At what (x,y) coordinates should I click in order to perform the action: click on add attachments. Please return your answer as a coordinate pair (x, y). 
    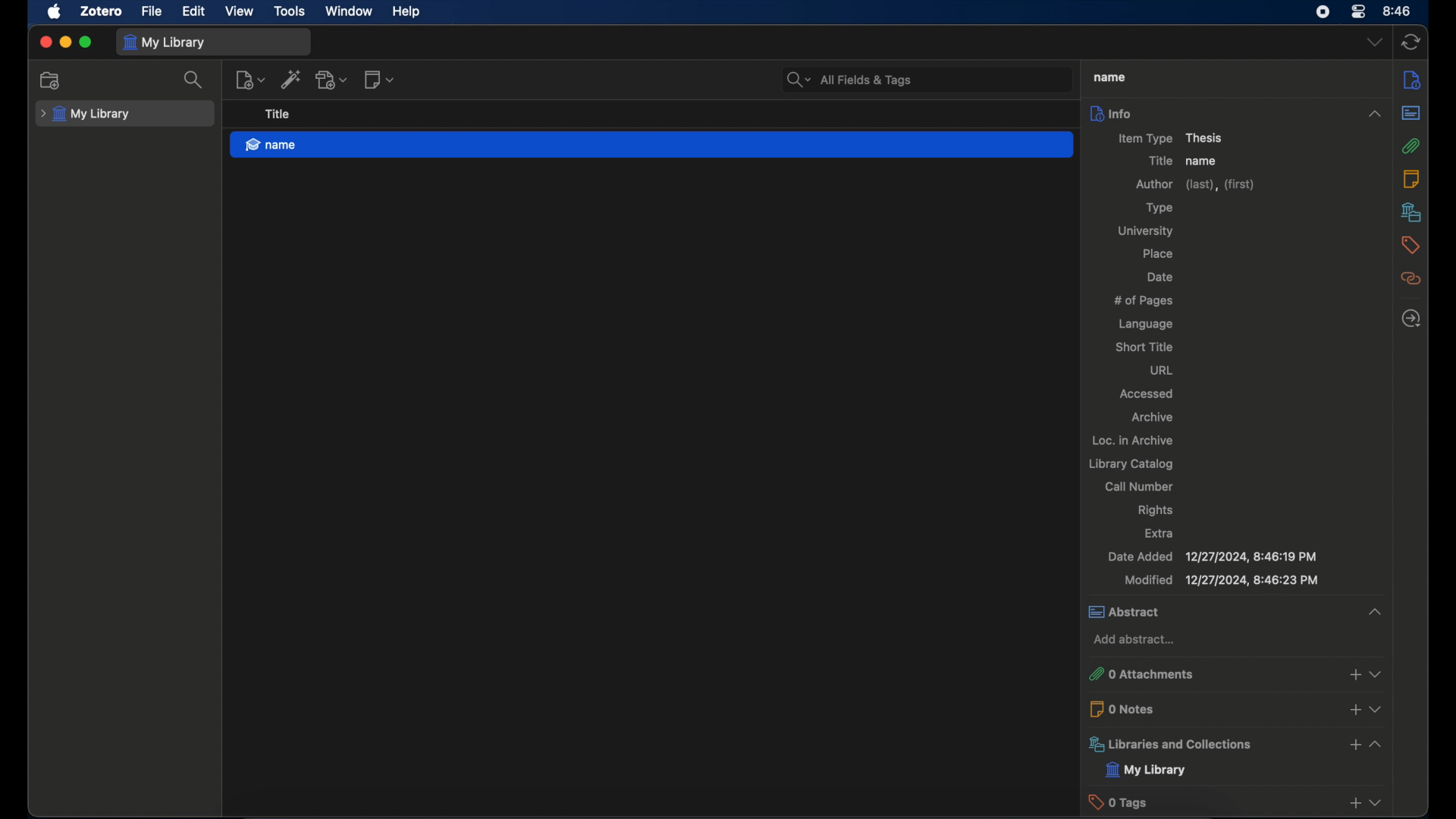
    Looking at the image, I should click on (1354, 673).